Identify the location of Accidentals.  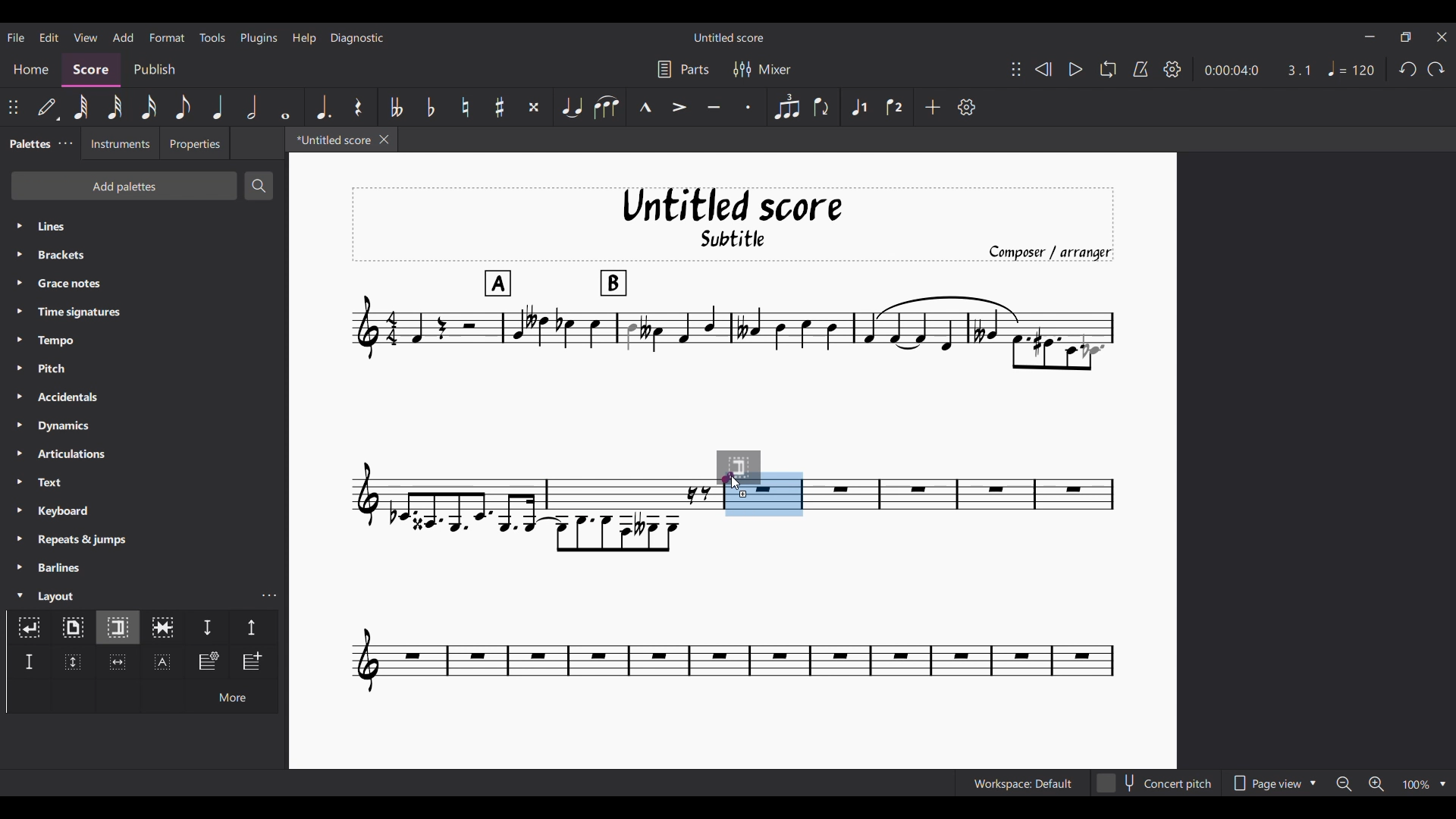
(143, 397).